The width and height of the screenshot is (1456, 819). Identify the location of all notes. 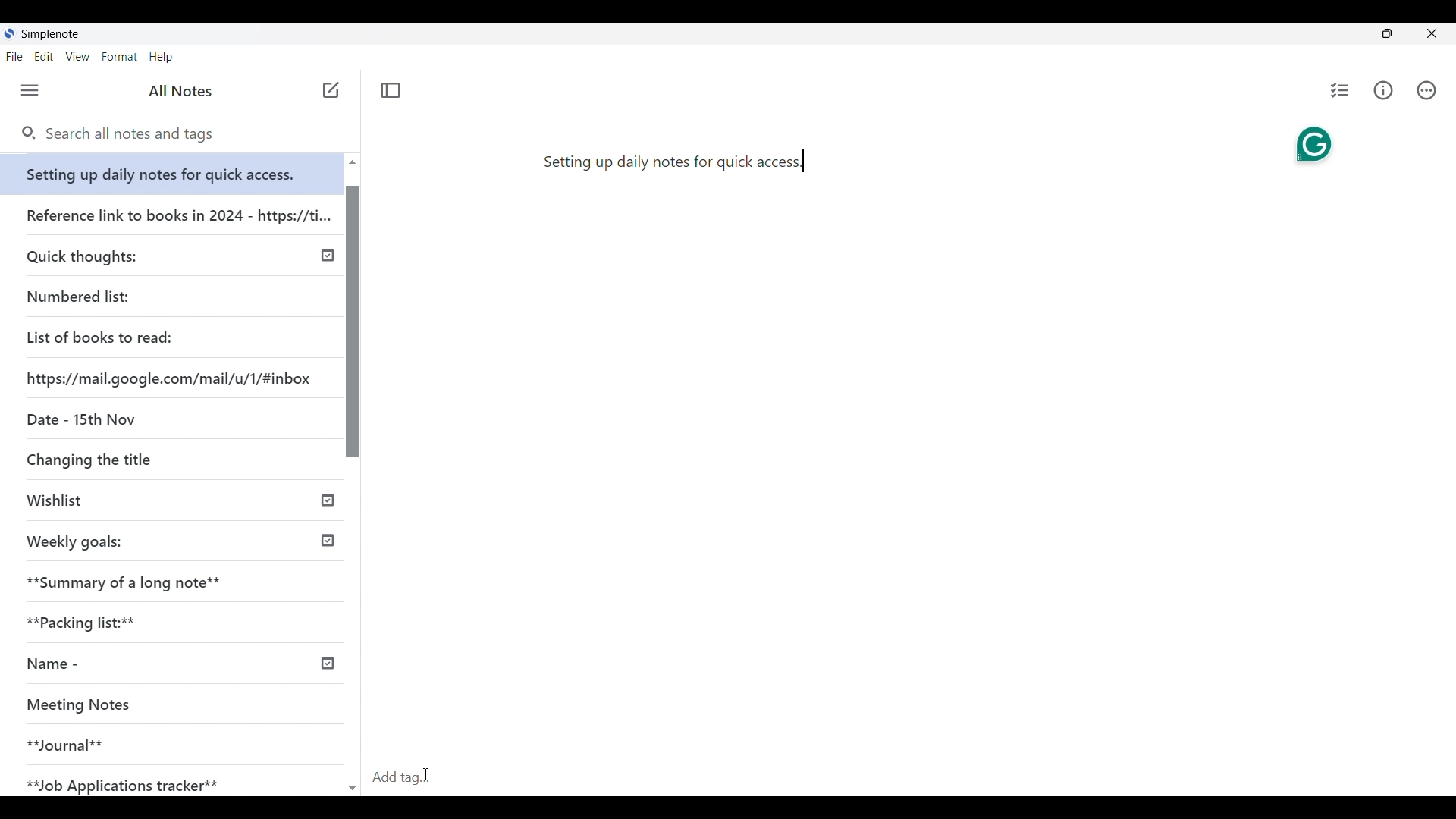
(180, 91).